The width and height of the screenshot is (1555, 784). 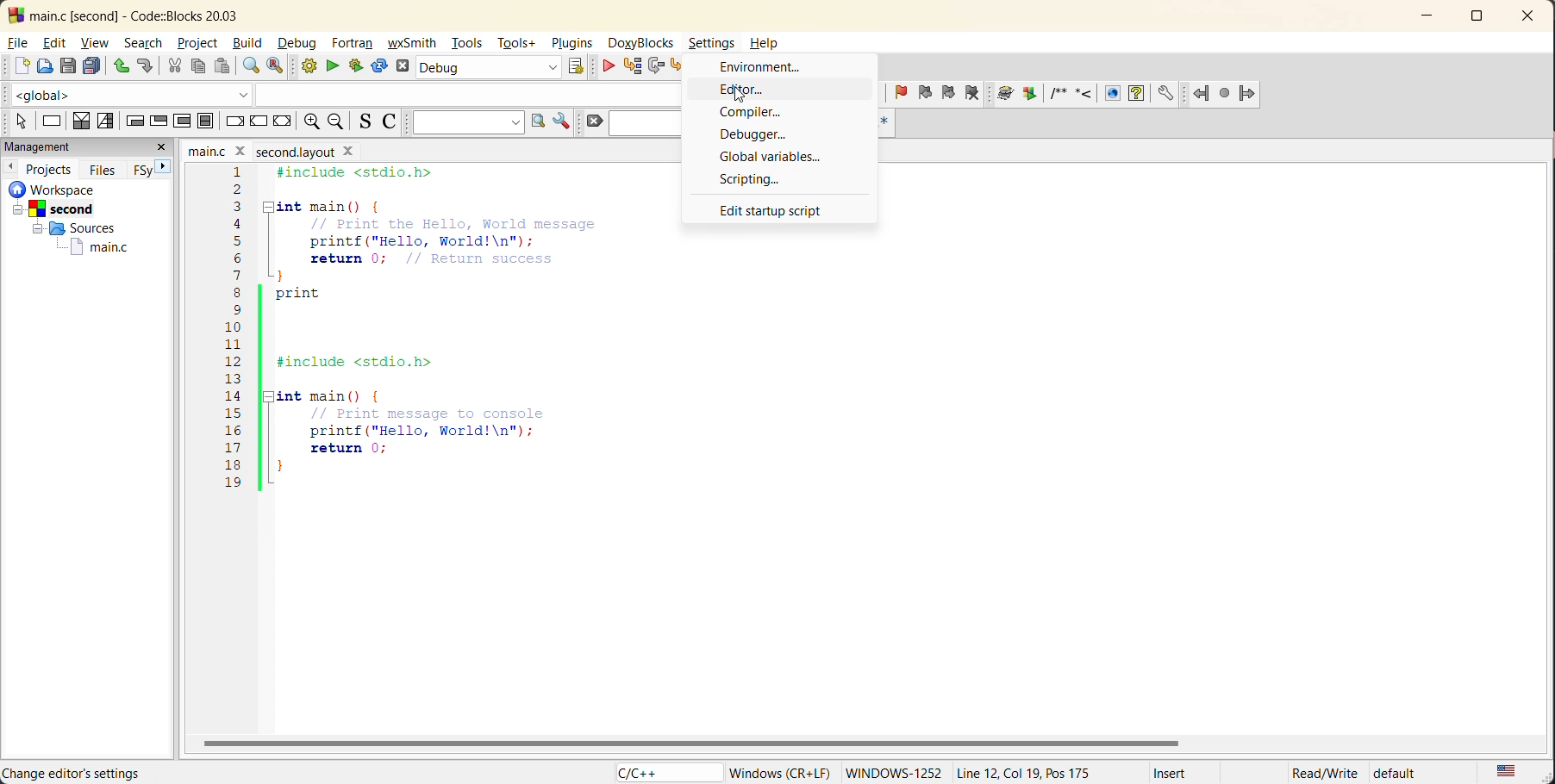 I want to click on Jump back, so click(x=1199, y=95).